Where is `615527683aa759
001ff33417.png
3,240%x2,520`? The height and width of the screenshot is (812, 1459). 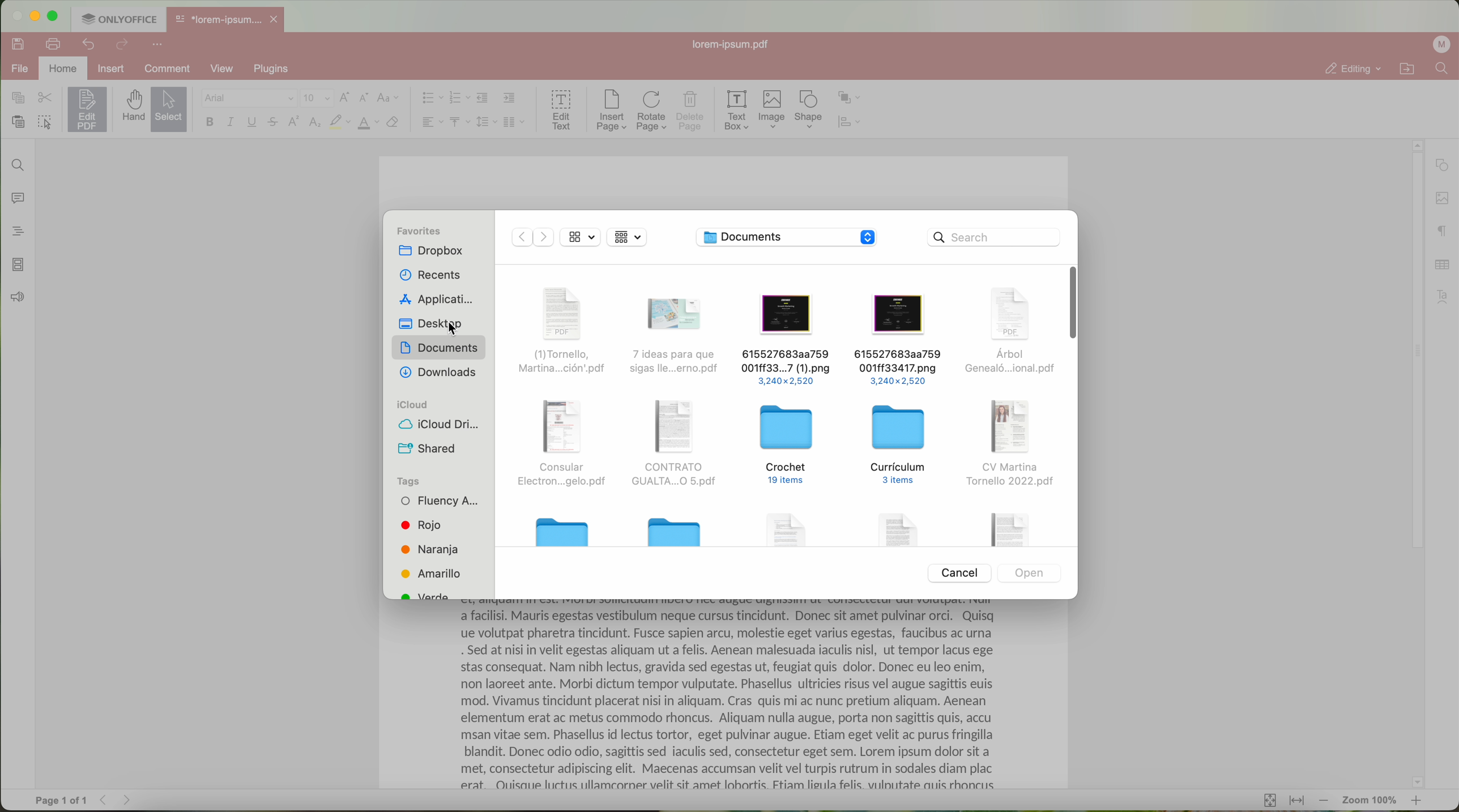 615527683aa759
001ff33417.png
3,240%x2,520 is located at coordinates (897, 339).